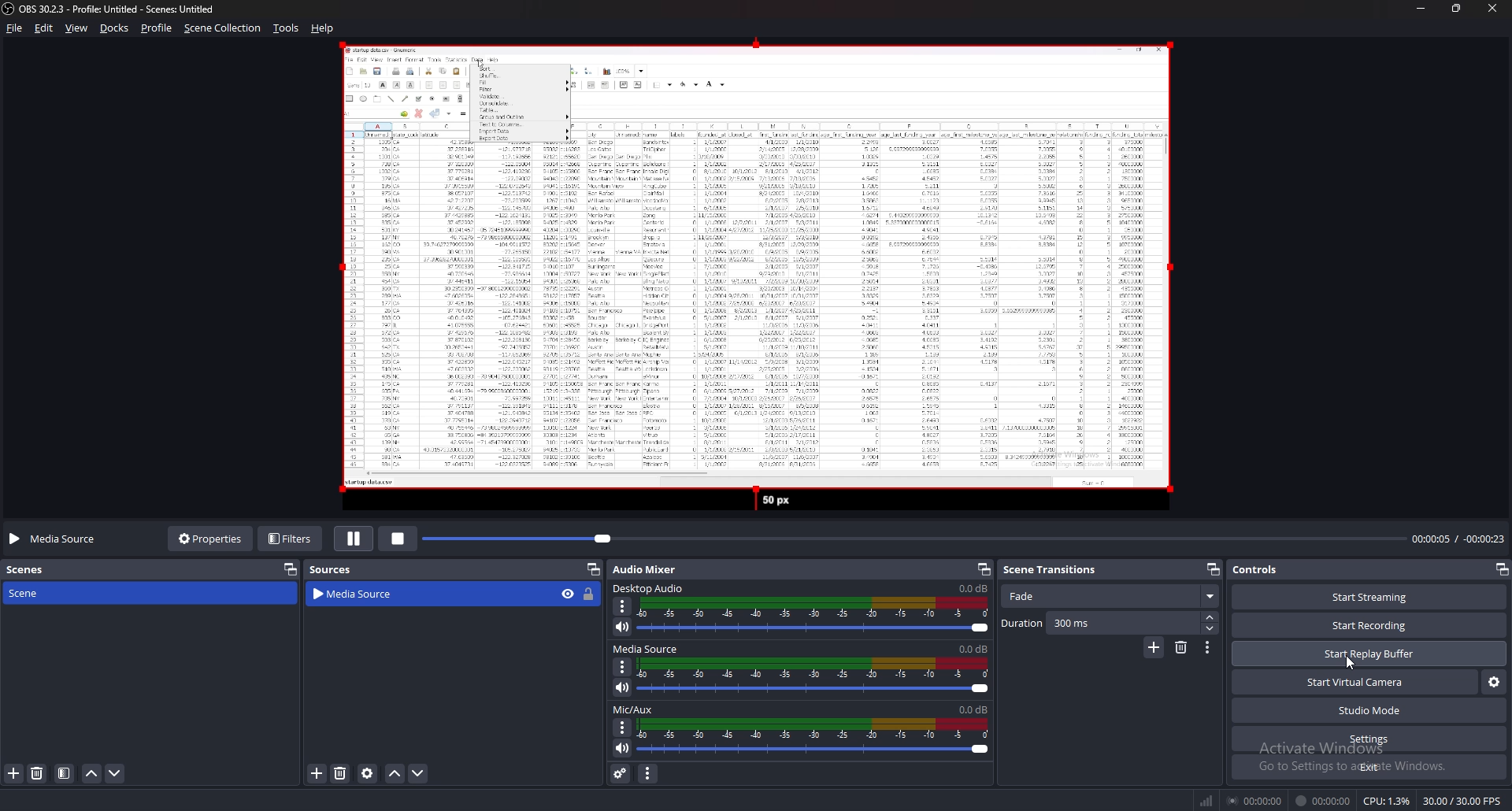 The height and width of the screenshot is (811, 1512). I want to click on ‘OBS 30.2.3 - Profile: Untitled - Scenes: Untitled, so click(123, 9).